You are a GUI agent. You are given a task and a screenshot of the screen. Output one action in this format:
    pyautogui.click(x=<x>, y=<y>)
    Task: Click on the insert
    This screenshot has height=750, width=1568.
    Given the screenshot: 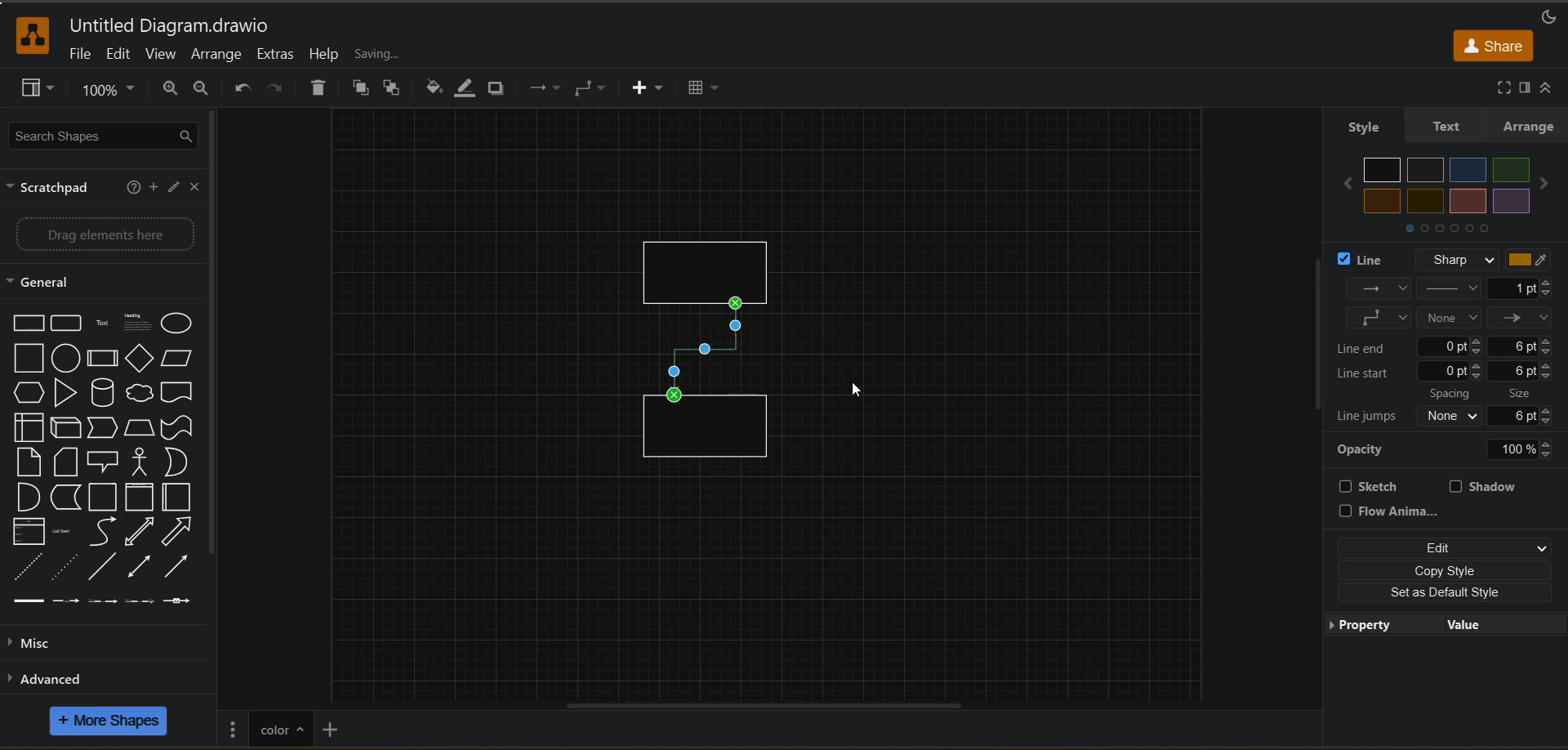 What is the action you would take?
    pyautogui.click(x=649, y=89)
    